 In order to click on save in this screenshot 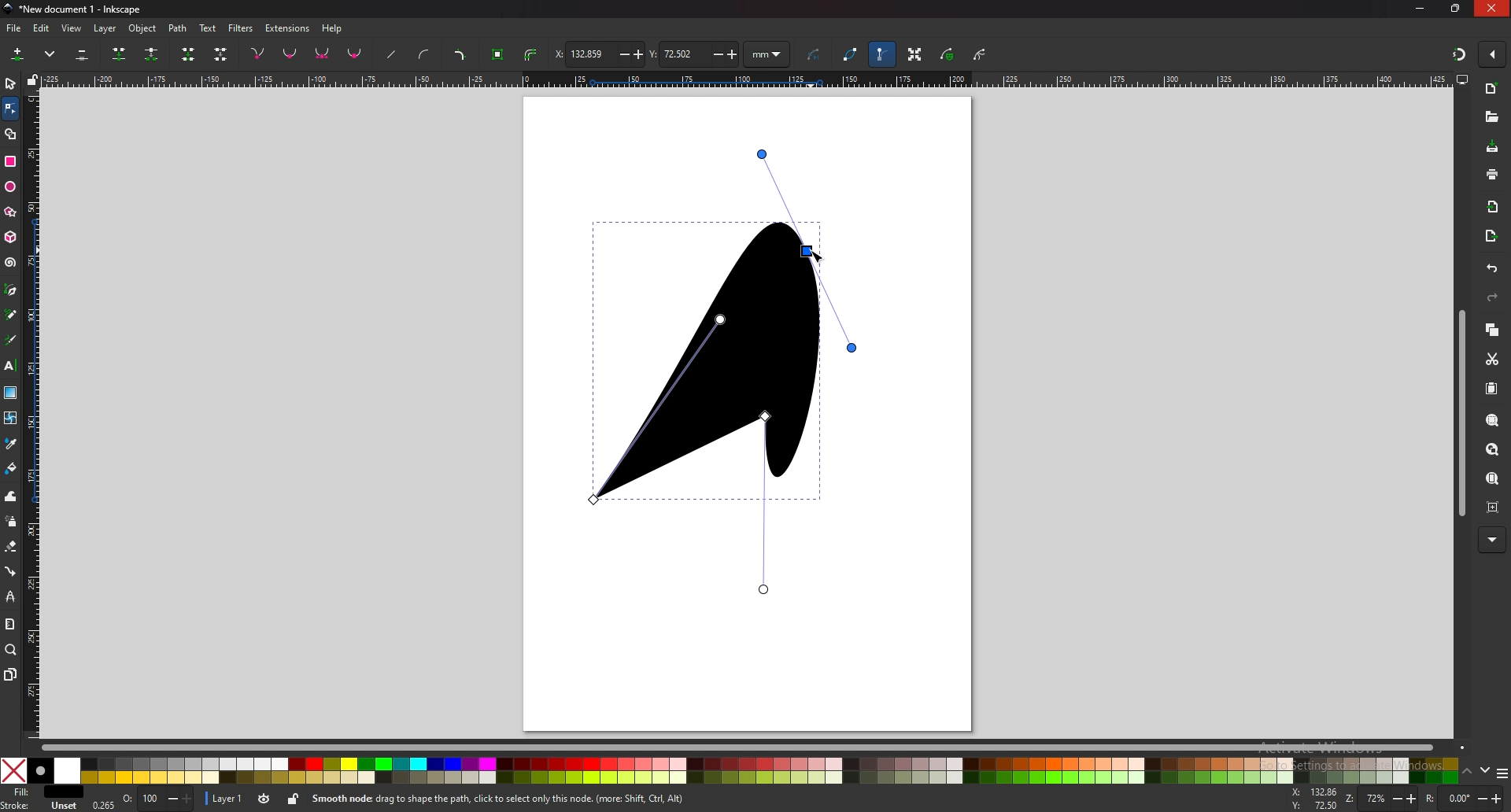, I will do `click(1494, 148)`.